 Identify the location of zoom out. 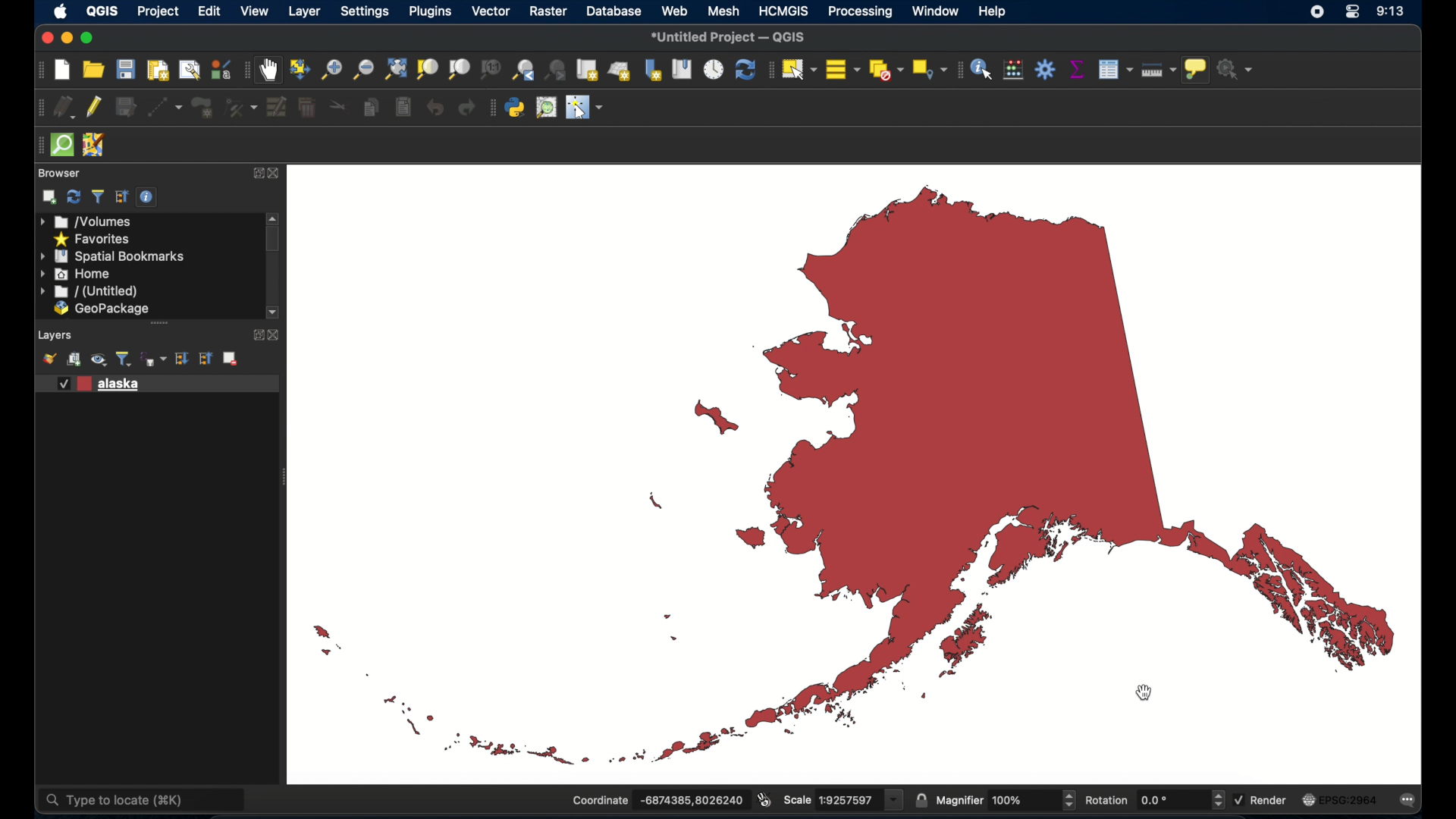
(362, 72).